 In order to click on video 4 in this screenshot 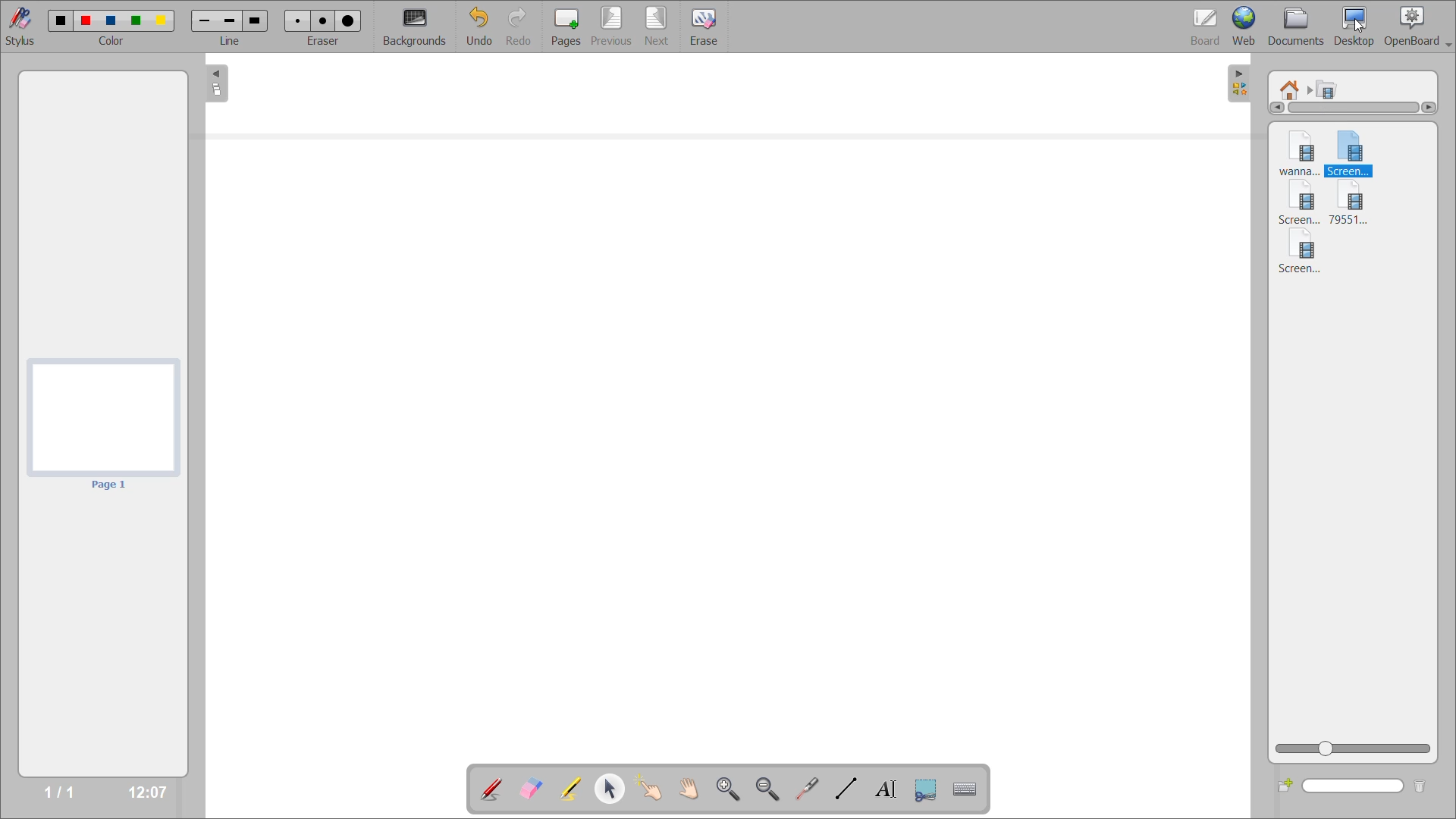, I will do `click(1357, 204)`.